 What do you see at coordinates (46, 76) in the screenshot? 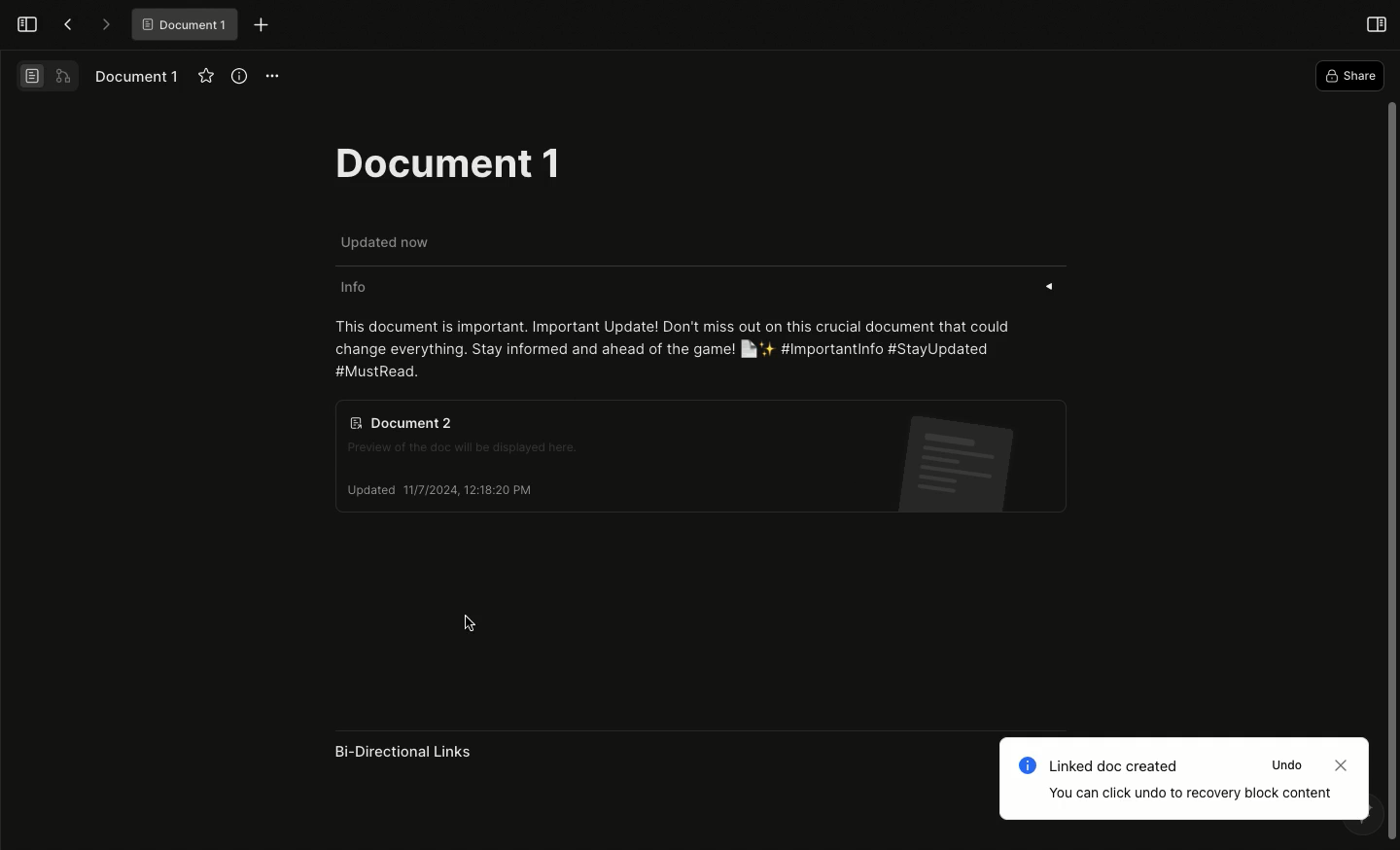
I see `Switch view` at bounding box center [46, 76].